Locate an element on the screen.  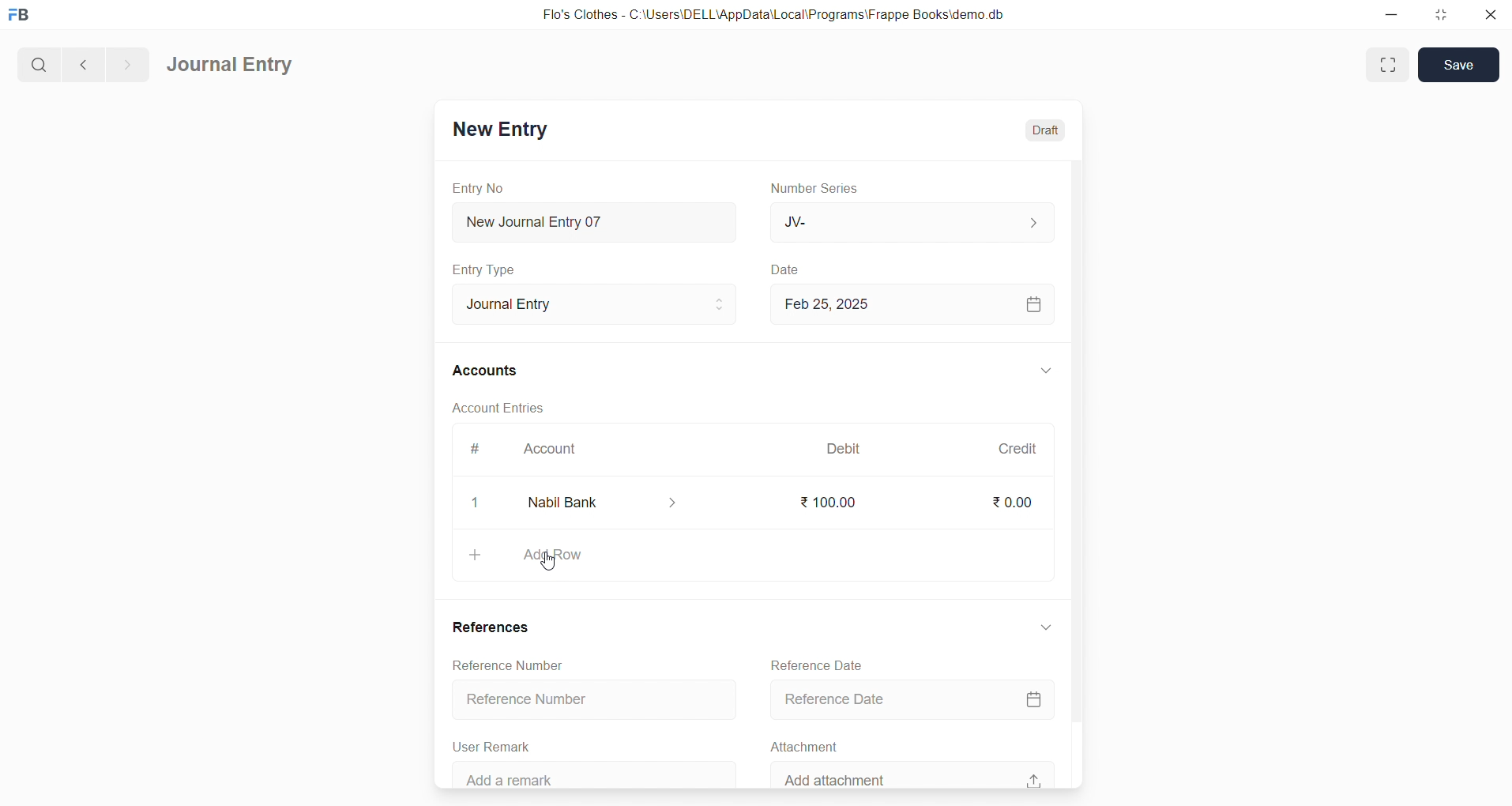
Reference Number is located at coordinates (588, 701).